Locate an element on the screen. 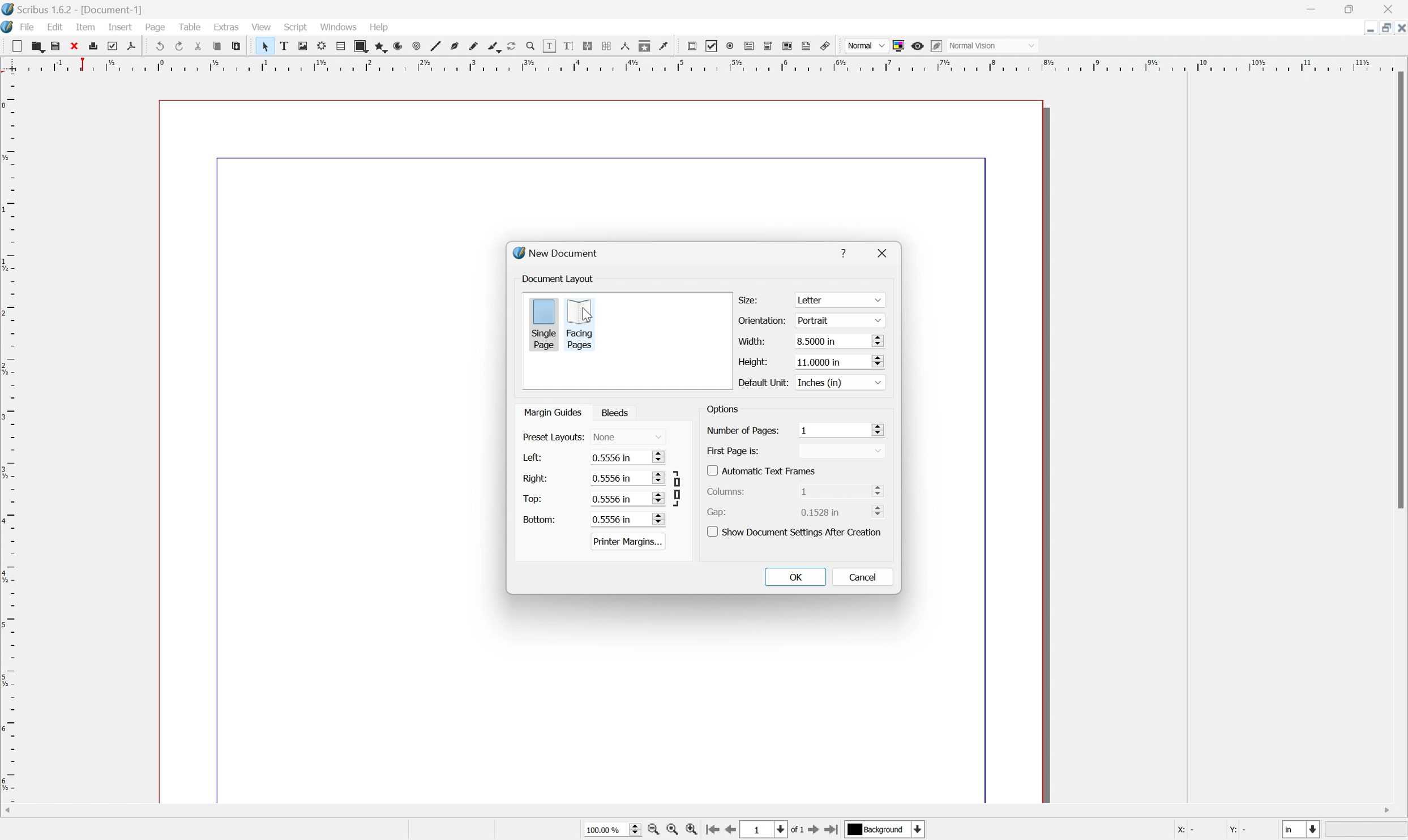 Image resolution: width=1408 pixels, height=840 pixels. 11.000 in is located at coordinates (838, 361).